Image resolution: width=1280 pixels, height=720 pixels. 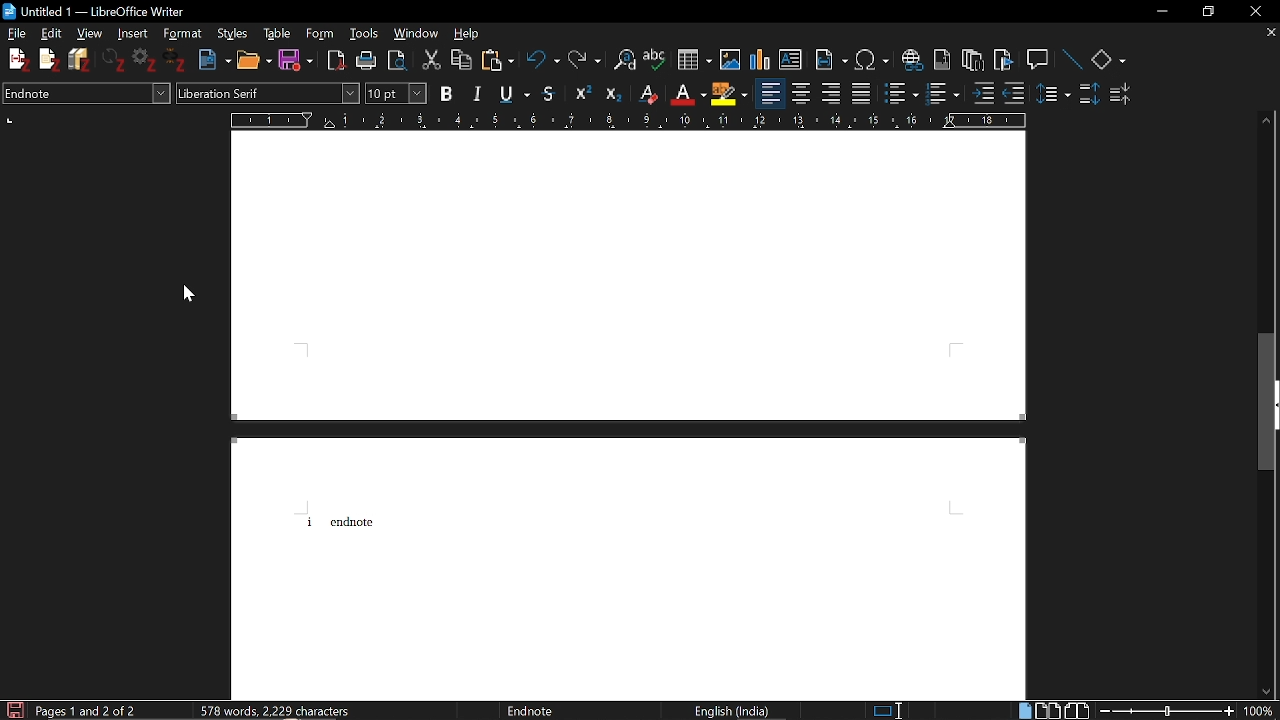 What do you see at coordinates (1253, 11) in the screenshot?
I see `Close` at bounding box center [1253, 11].